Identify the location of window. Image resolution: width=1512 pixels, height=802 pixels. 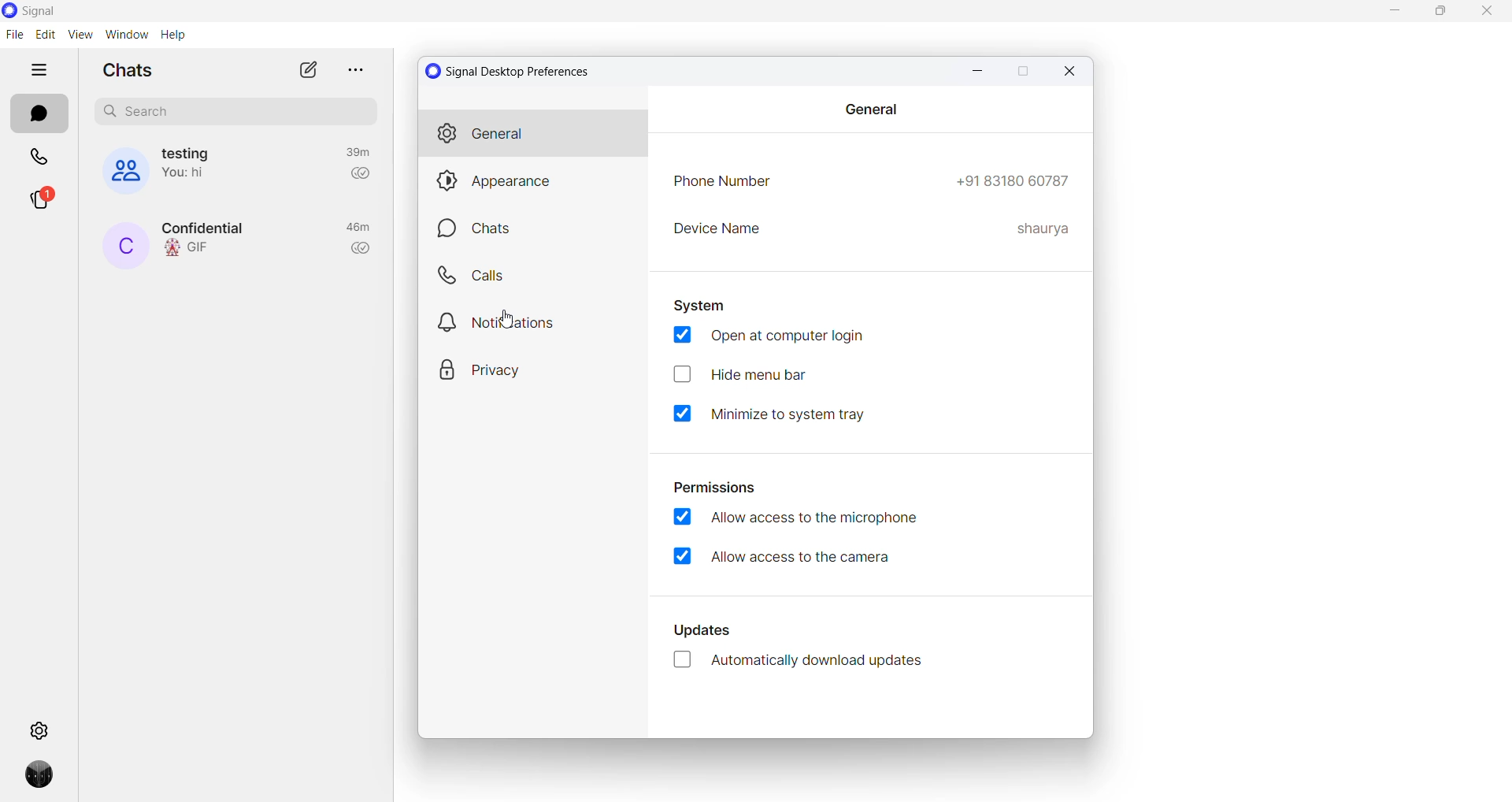
(125, 35).